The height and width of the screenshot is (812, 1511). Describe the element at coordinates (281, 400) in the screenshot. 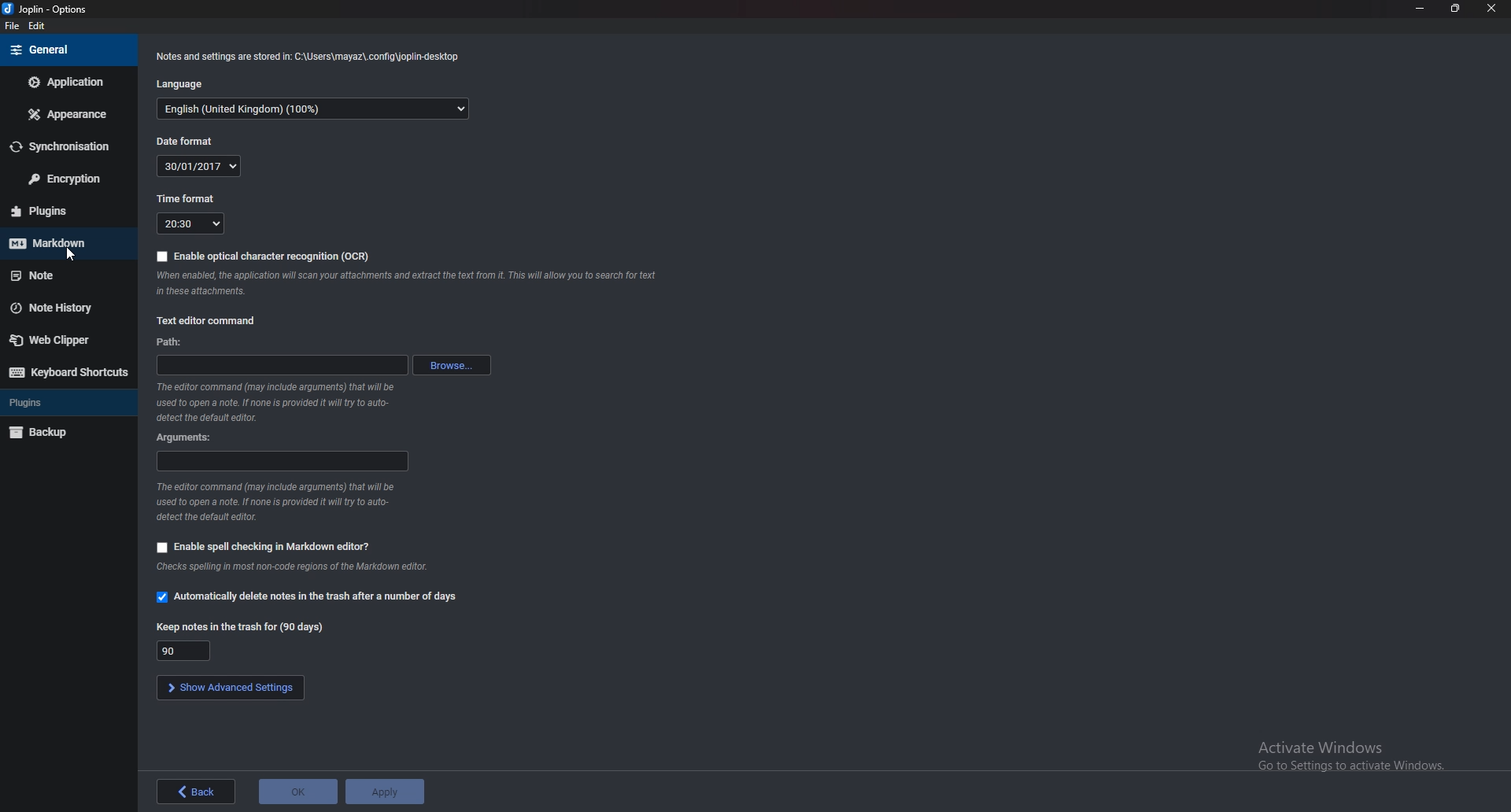

I see `info` at that location.